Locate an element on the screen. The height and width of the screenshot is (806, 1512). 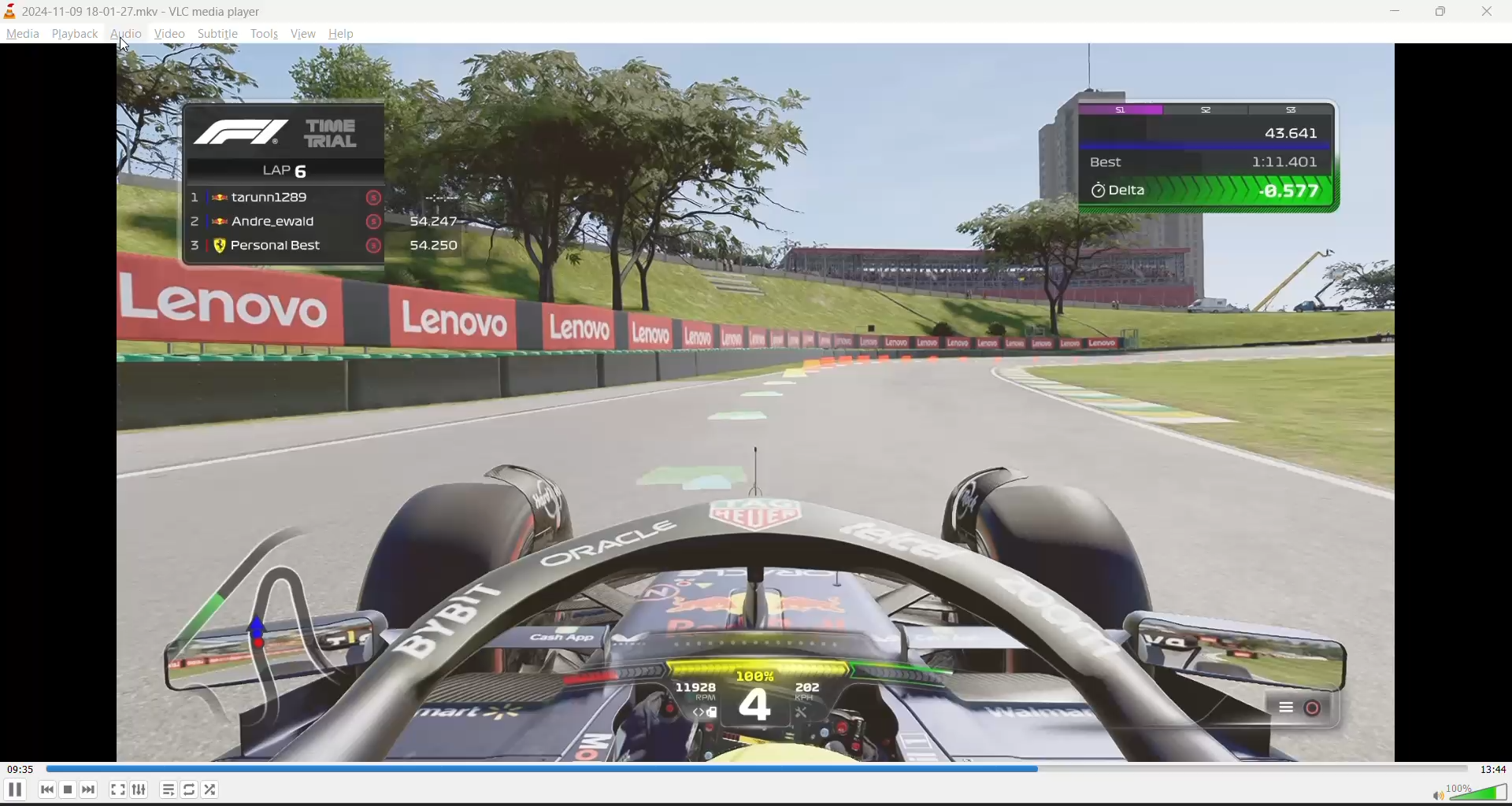
pause is located at coordinates (67, 791).